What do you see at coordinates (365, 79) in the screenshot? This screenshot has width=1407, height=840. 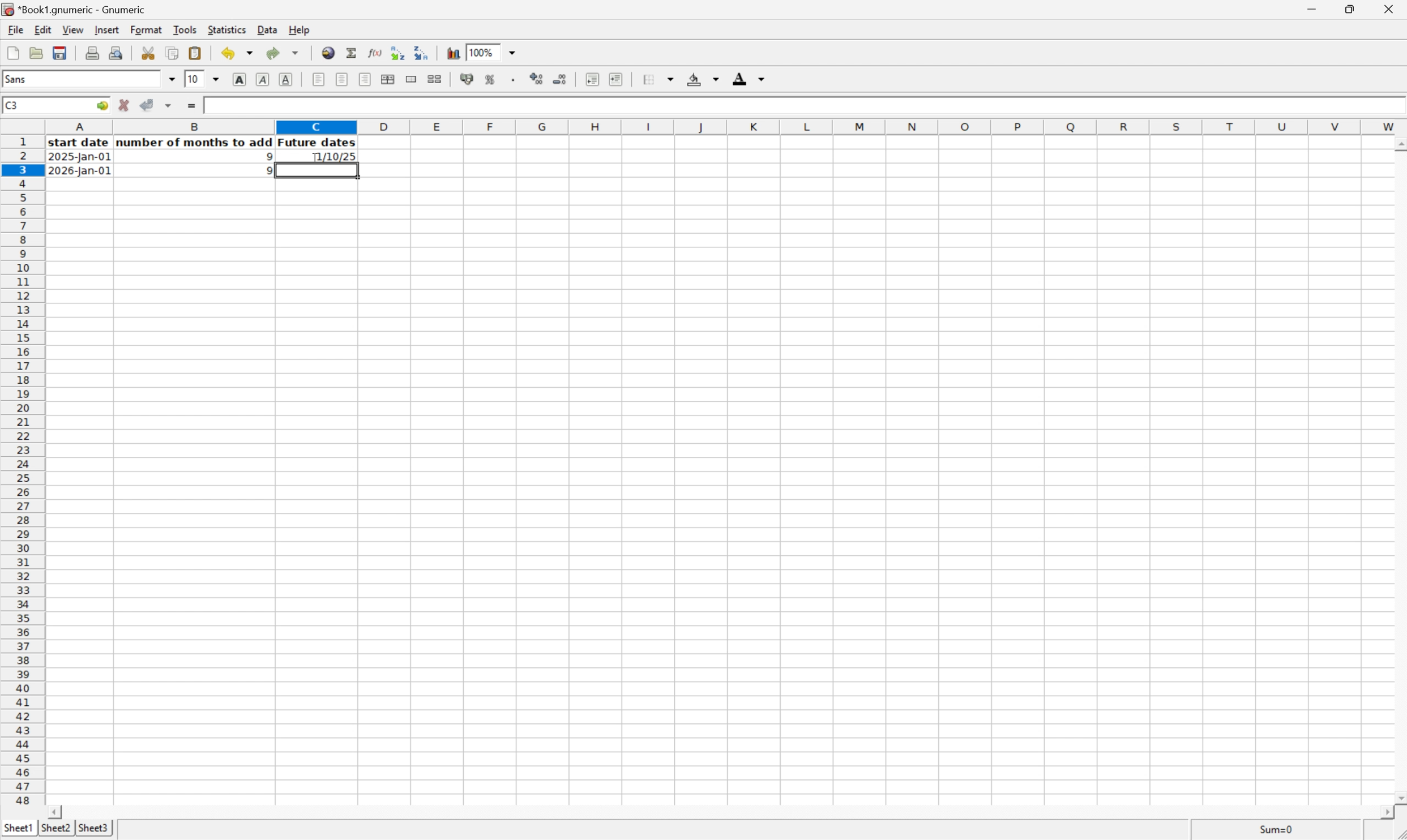 I see `Align Right` at bounding box center [365, 79].